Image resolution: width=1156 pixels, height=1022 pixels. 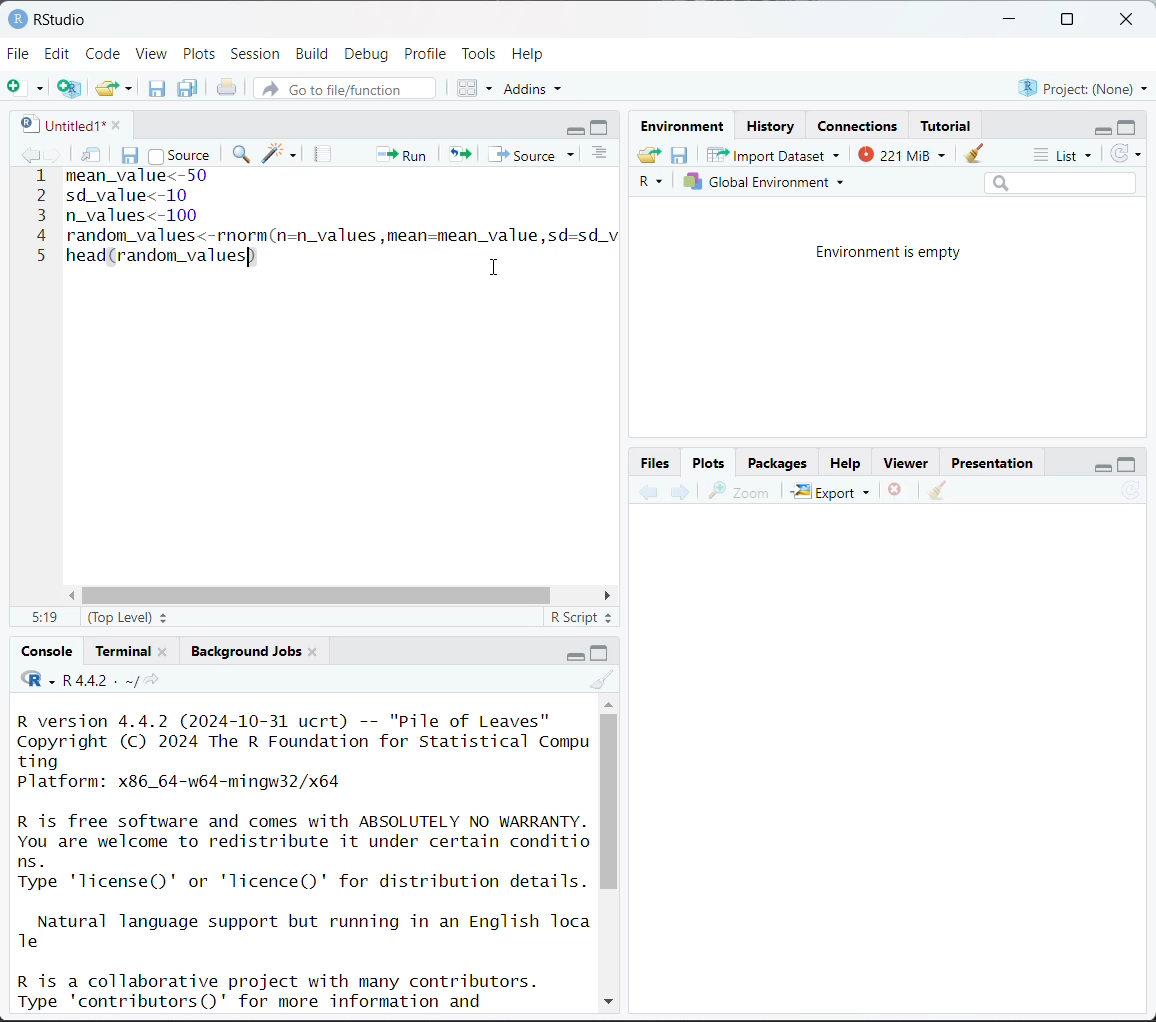 I want to click on close, so click(x=1130, y=20).